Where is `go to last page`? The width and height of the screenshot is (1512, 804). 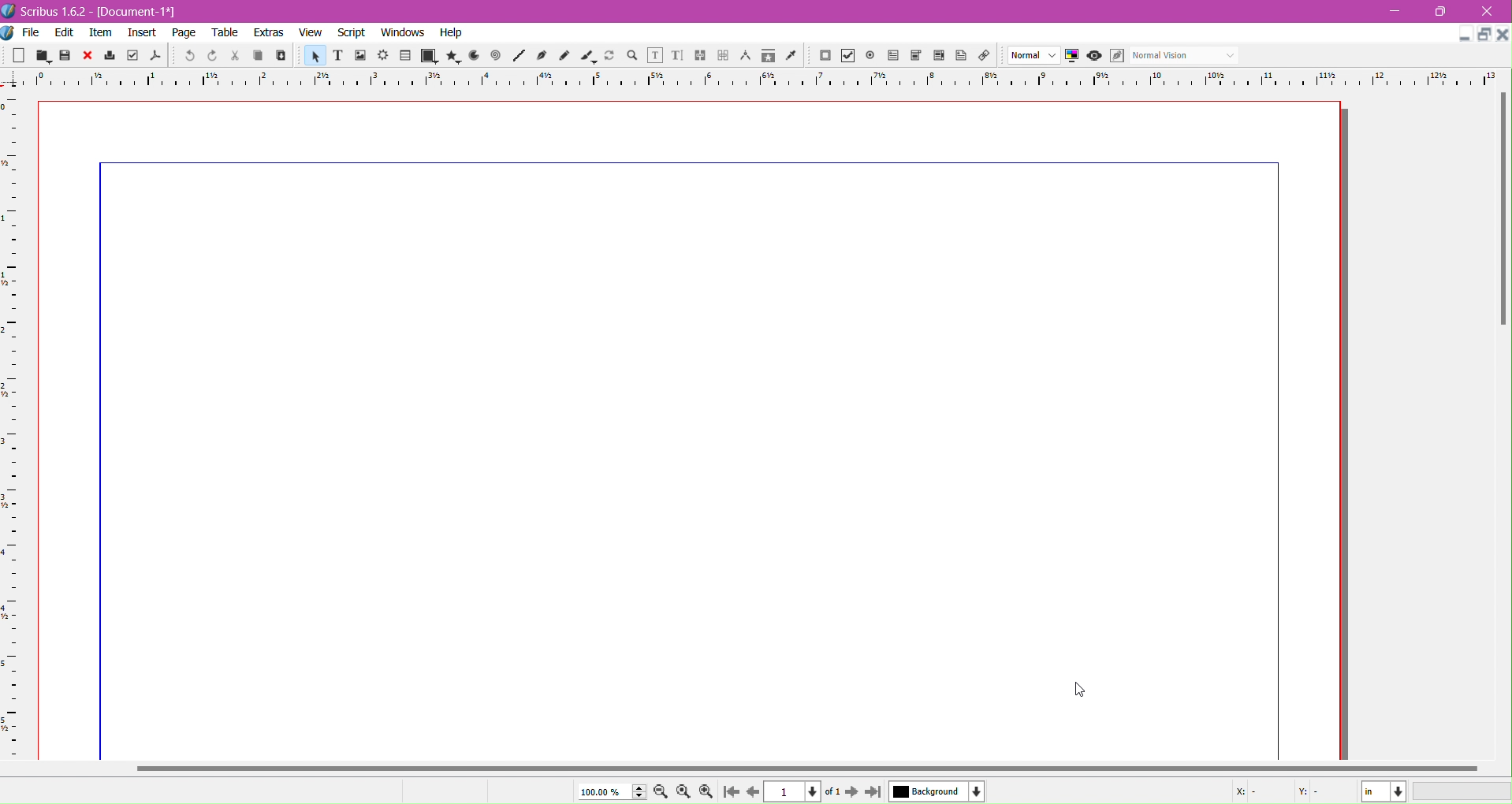 go to last page is located at coordinates (873, 793).